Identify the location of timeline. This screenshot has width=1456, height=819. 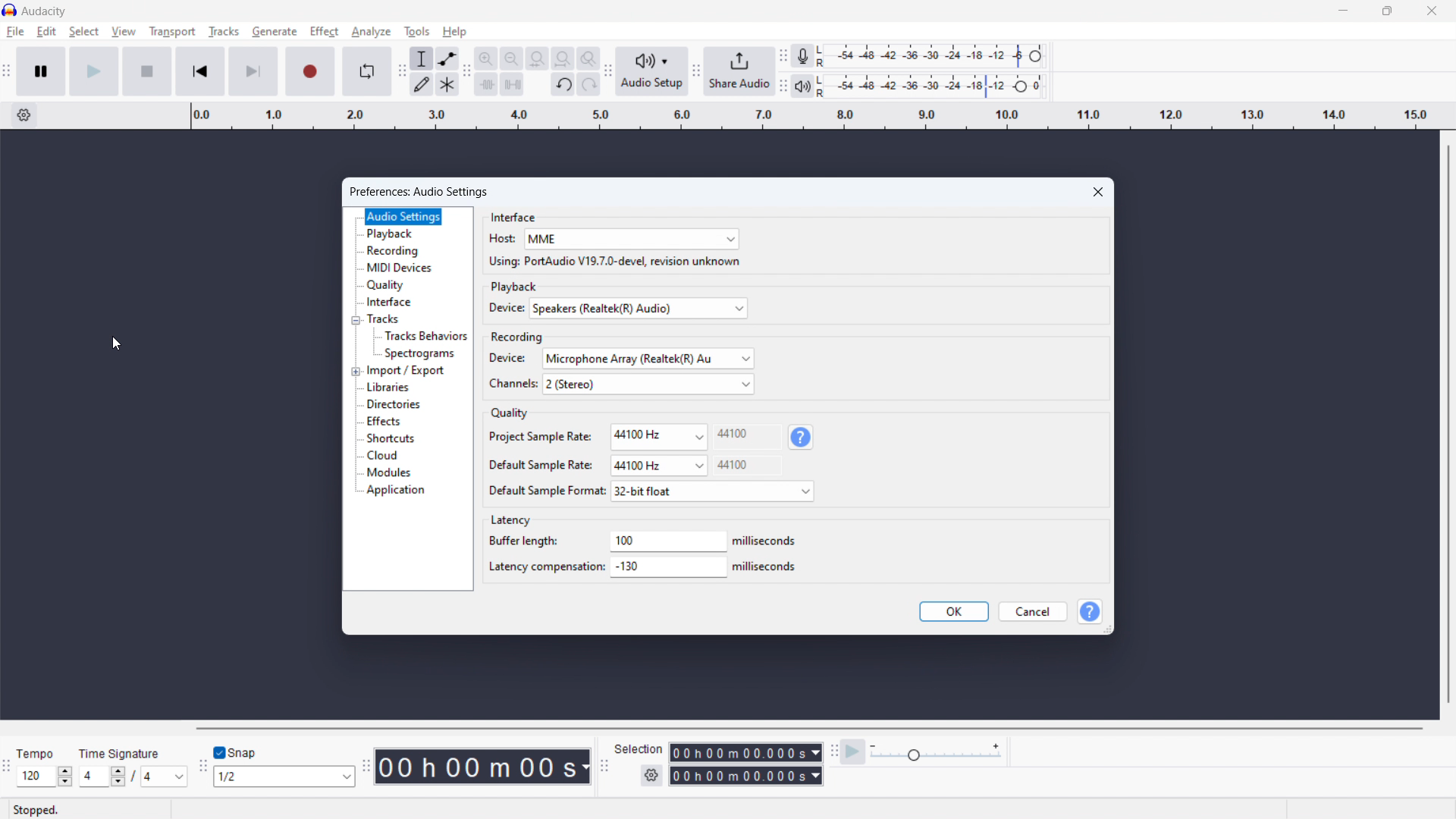
(813, 115).